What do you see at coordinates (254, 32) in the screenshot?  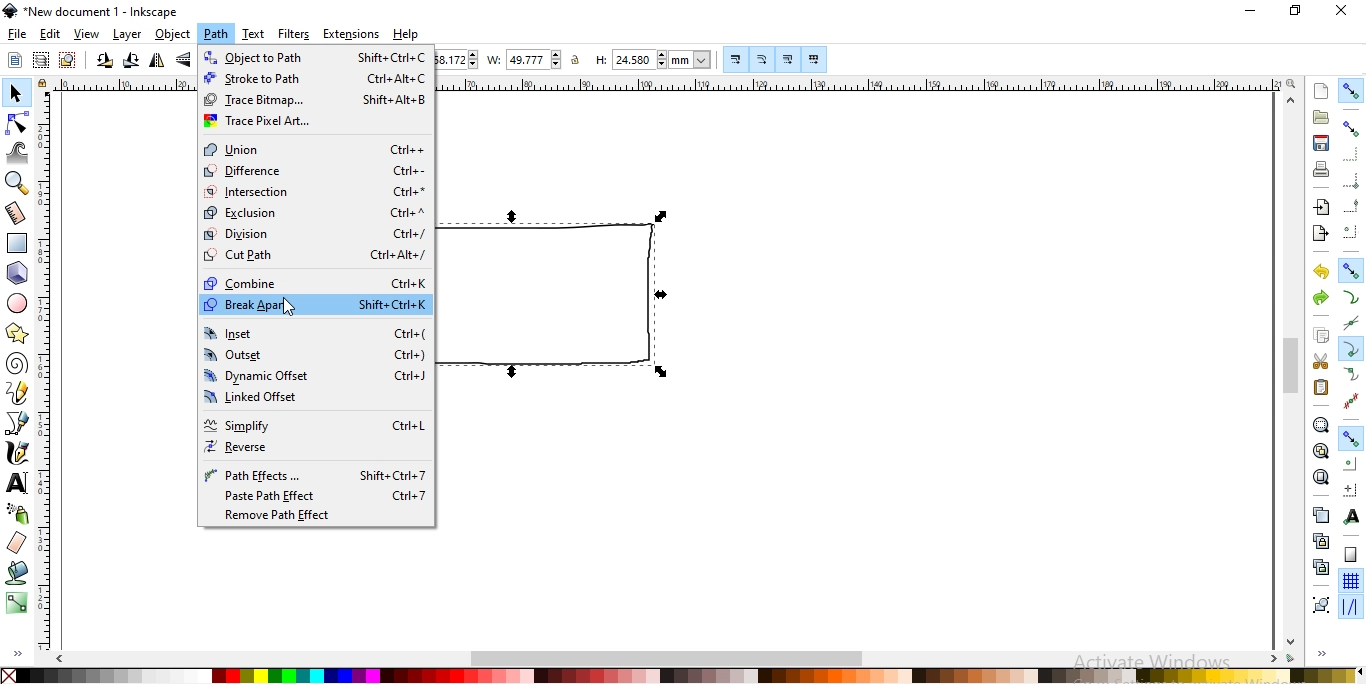 I see `text` at bounding box center [254, 32].